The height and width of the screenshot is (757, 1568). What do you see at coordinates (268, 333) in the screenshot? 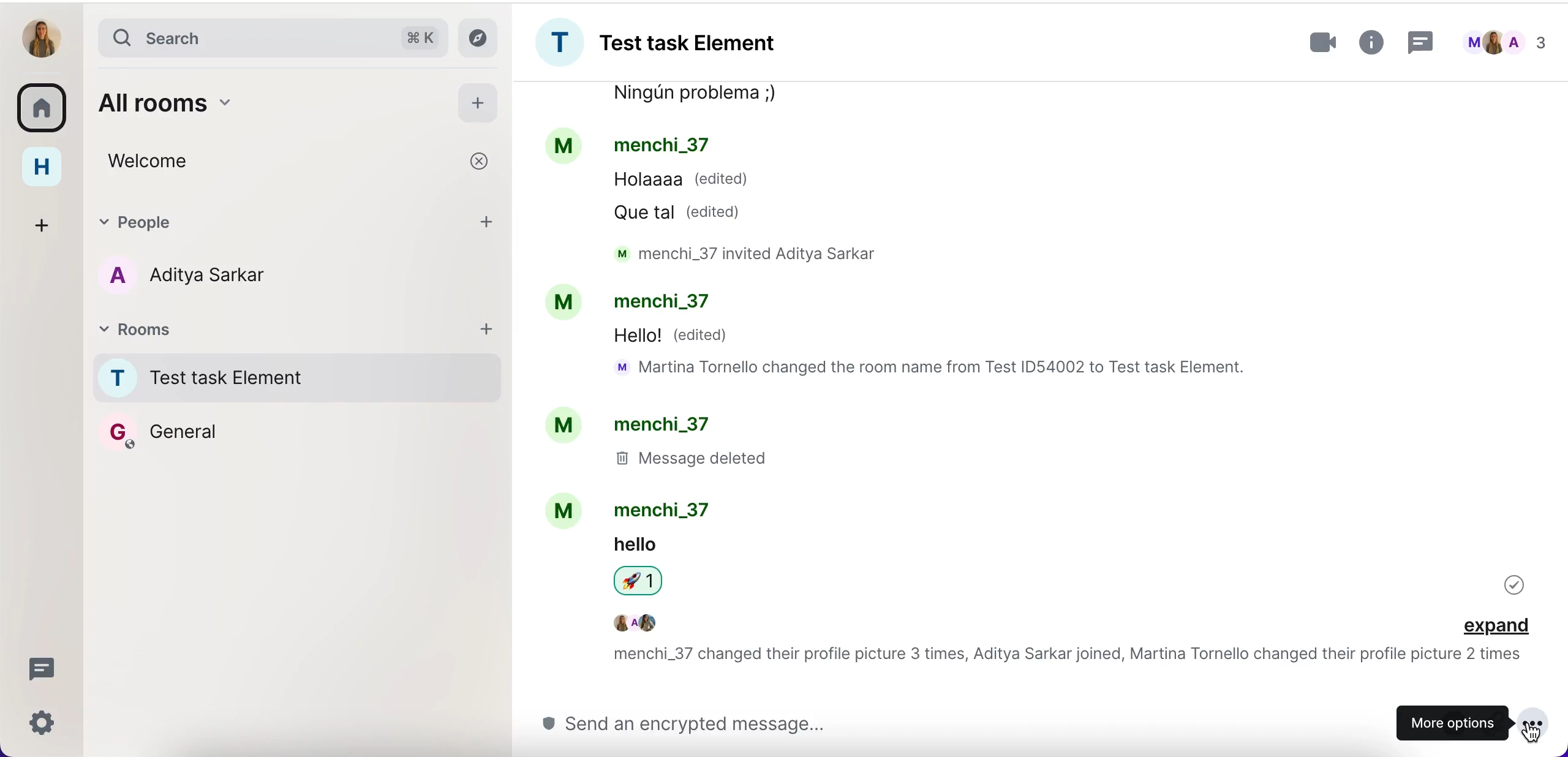
I see `rooms` at bounding box center [268, 333].